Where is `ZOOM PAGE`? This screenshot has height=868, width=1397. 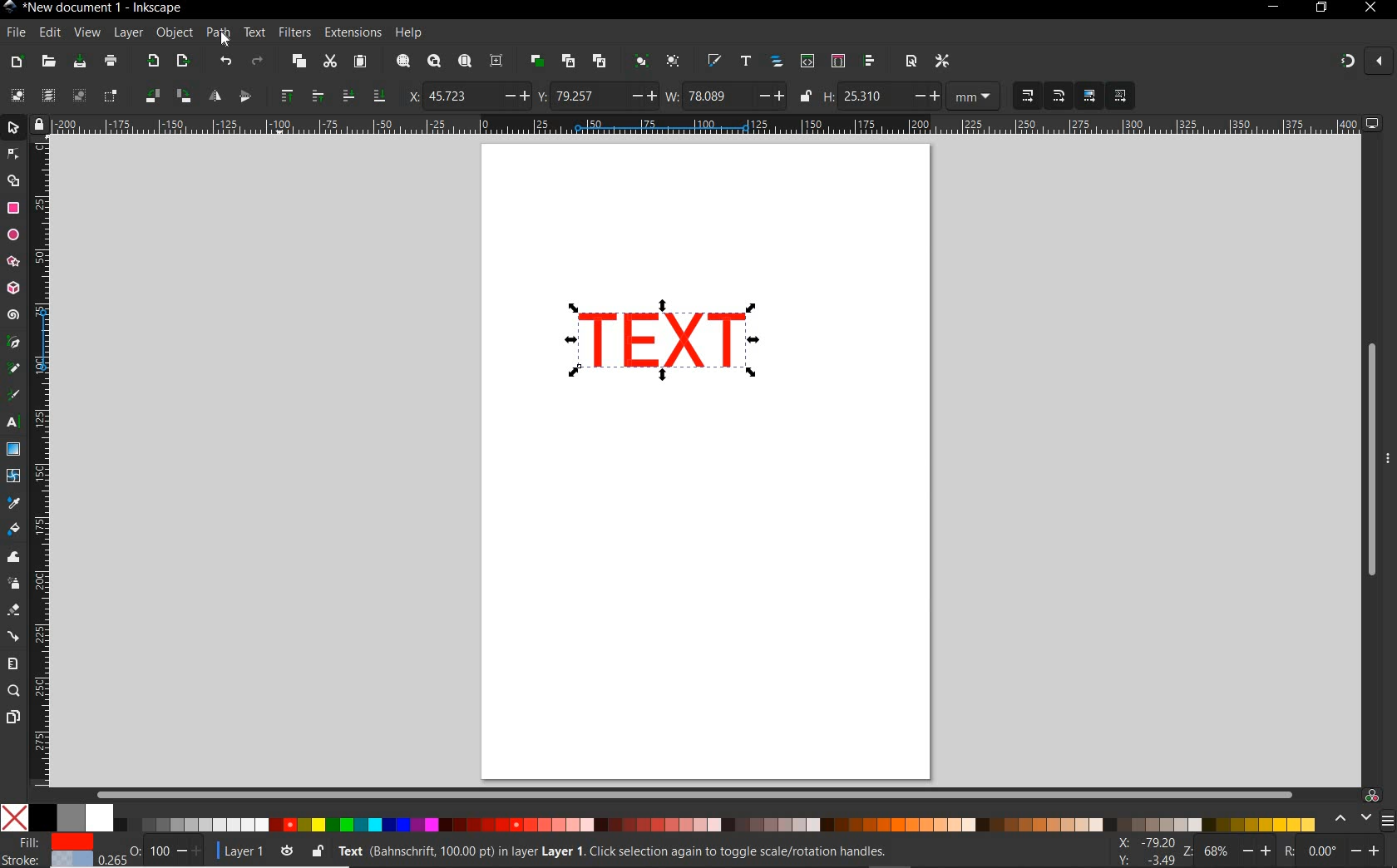 ZOOM PAGE is located at coordinates (464, 62).